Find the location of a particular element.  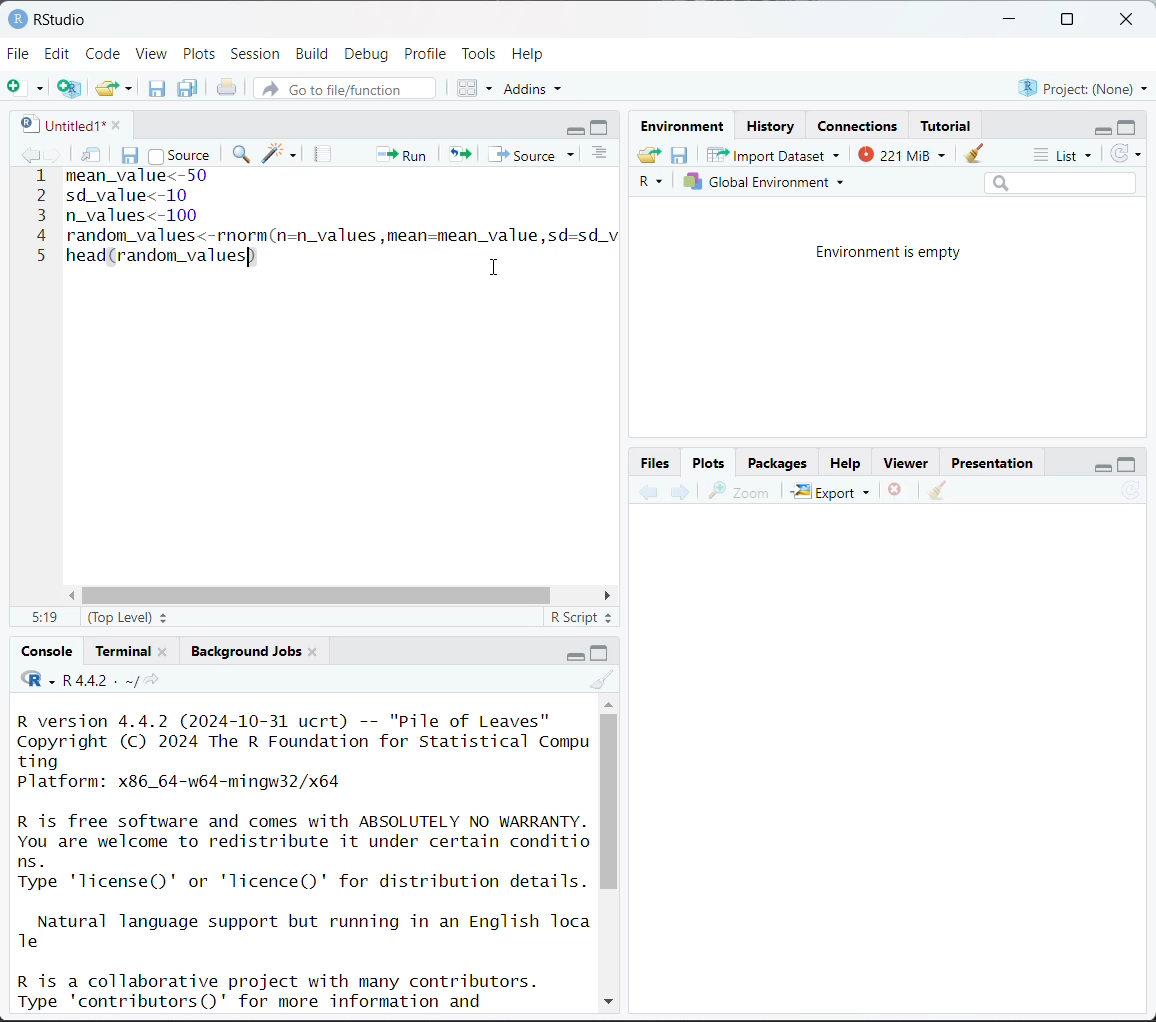

View is located at coordinates (152, 55).